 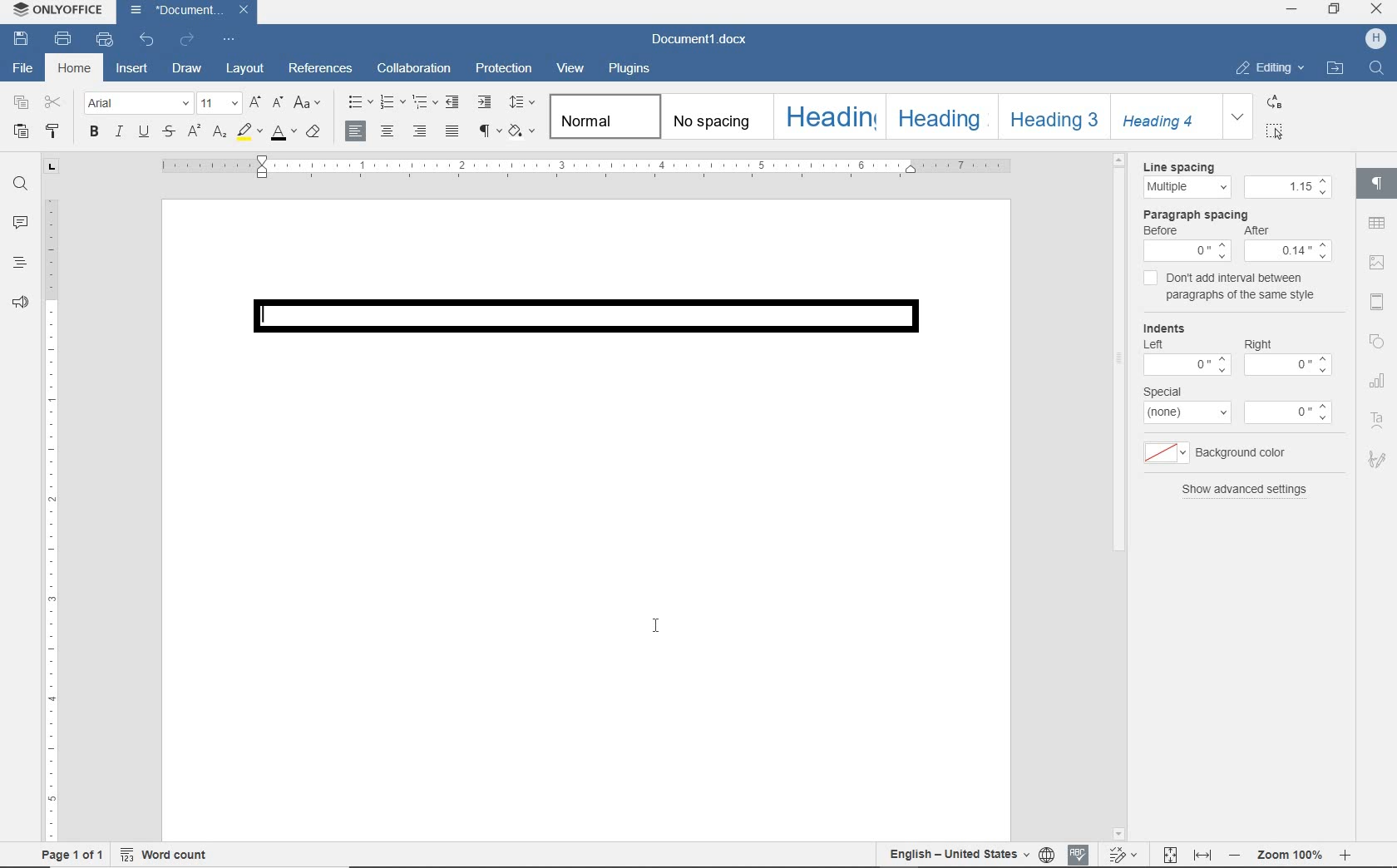 I want to click on OPEN FILE LOCATION, so click(x=1336, y=71).